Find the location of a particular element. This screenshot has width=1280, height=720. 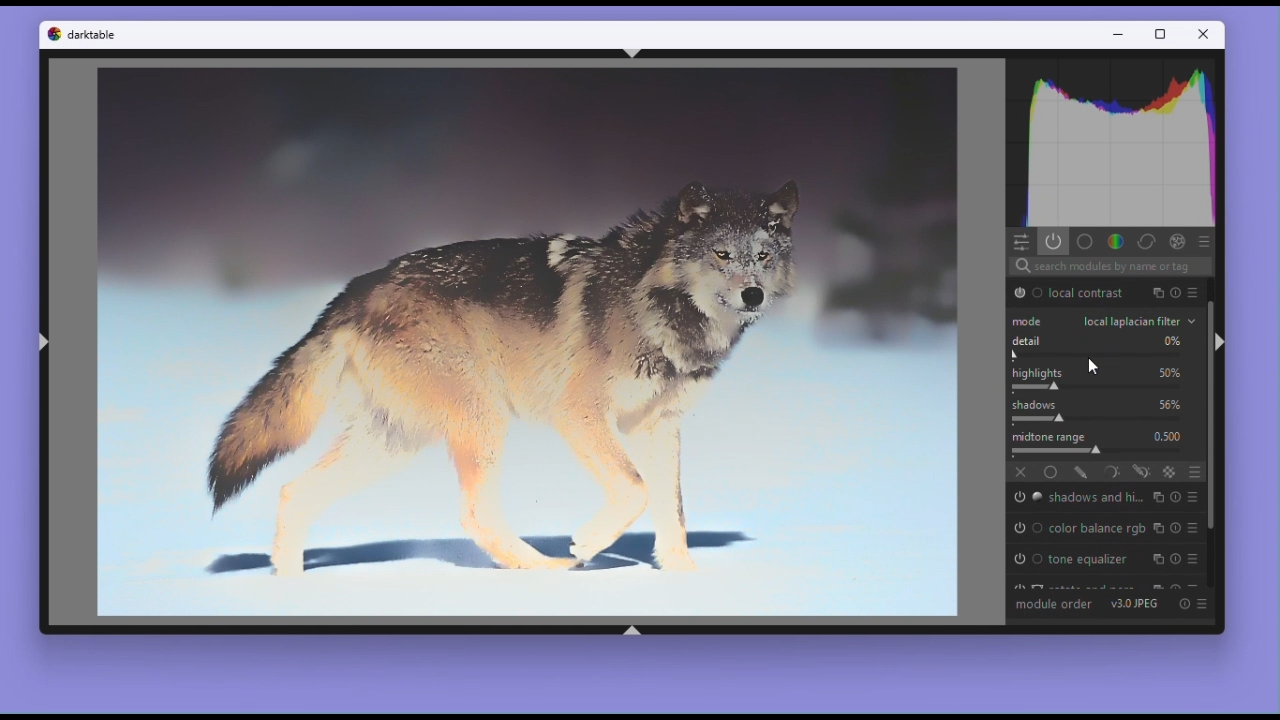

MidTone range 0.500 is located at coordinates (1105, 438).